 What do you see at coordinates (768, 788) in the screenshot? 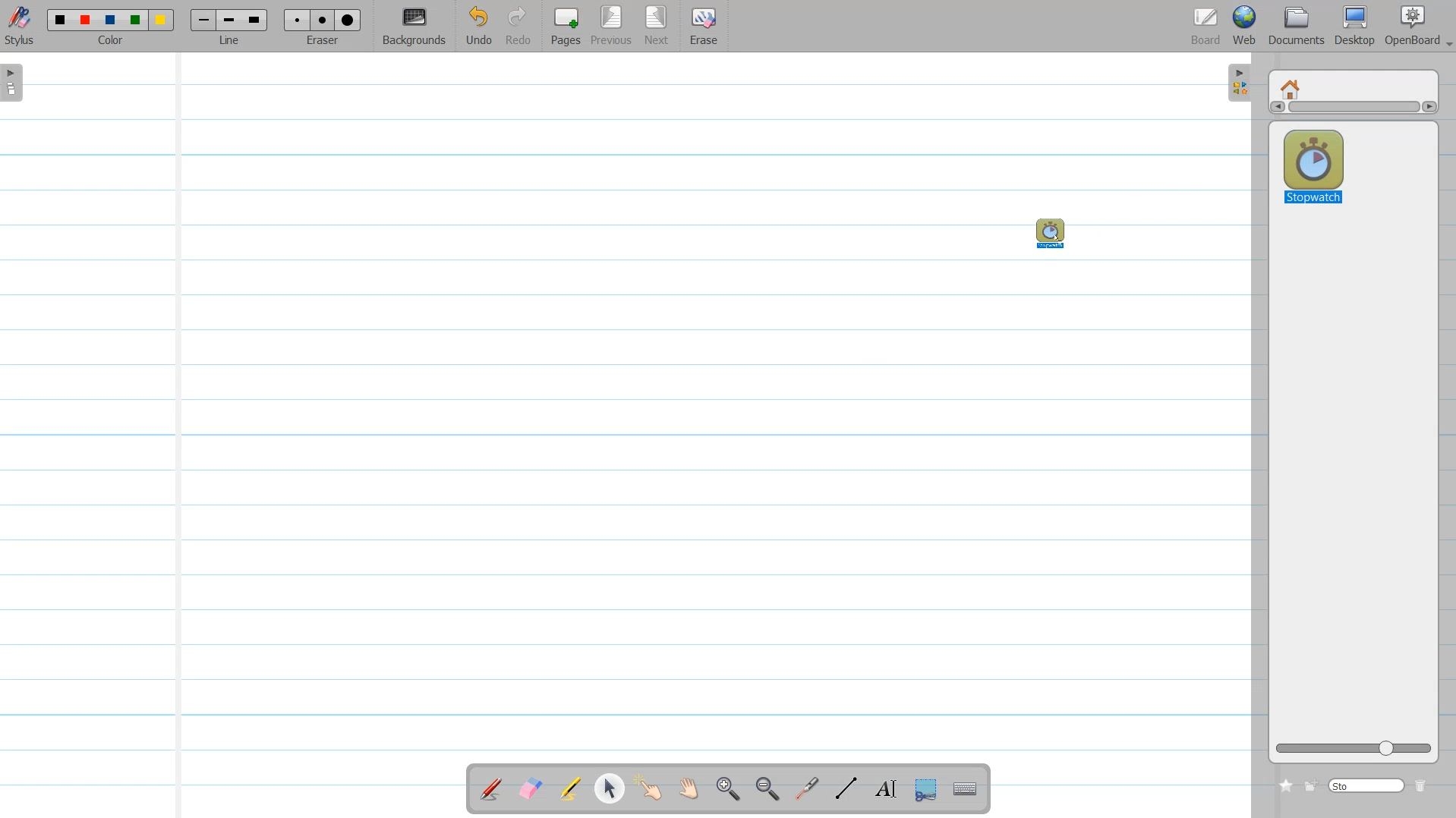
I see `Zoom ////out` at bounding box center [768, 788].